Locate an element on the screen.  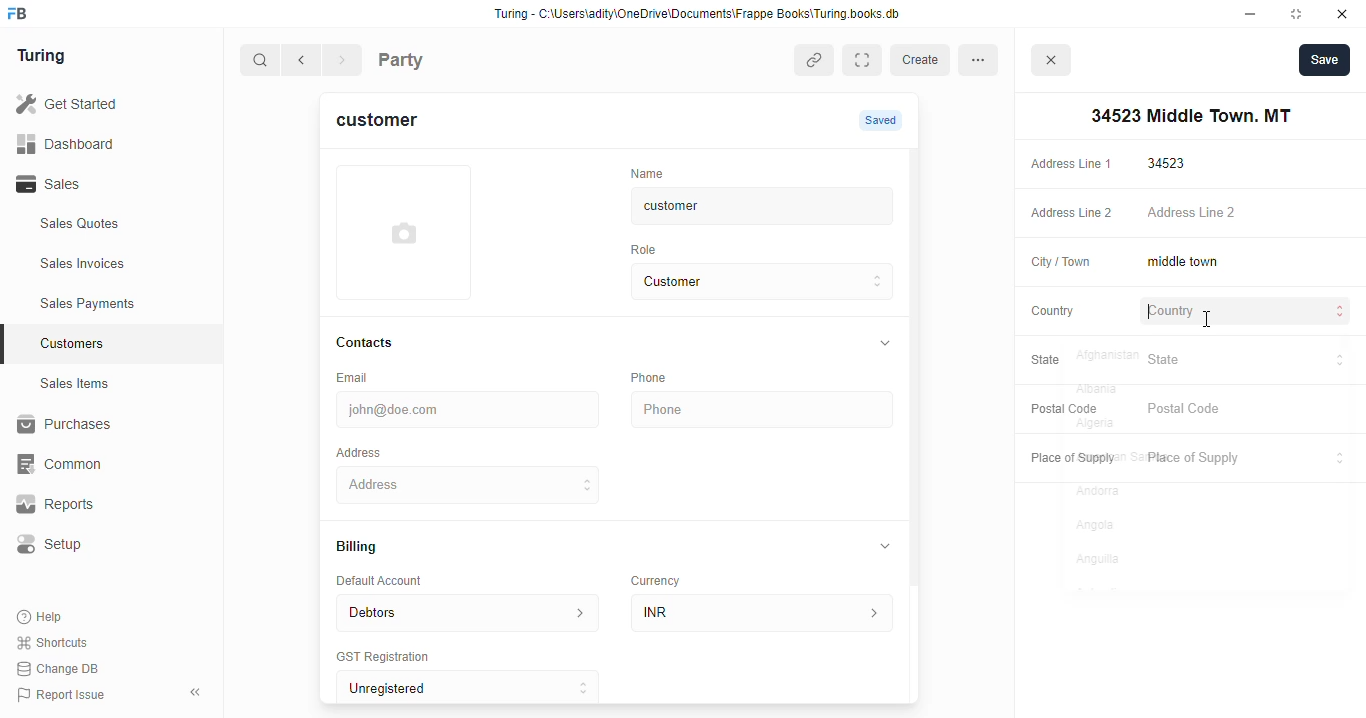
Contacts is located at coordinates (384, 343).